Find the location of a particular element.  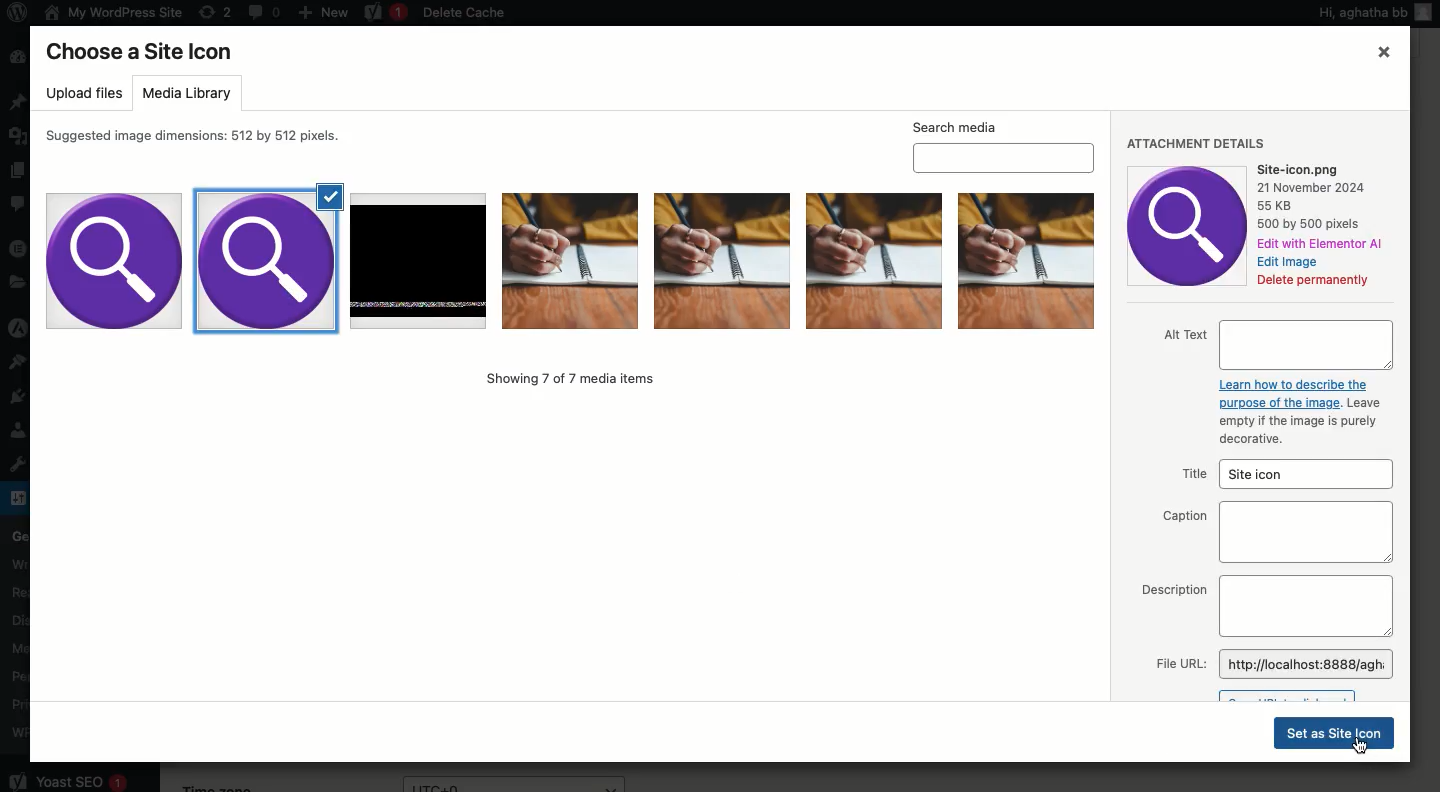

Comment is located at coordinates (19, 207).